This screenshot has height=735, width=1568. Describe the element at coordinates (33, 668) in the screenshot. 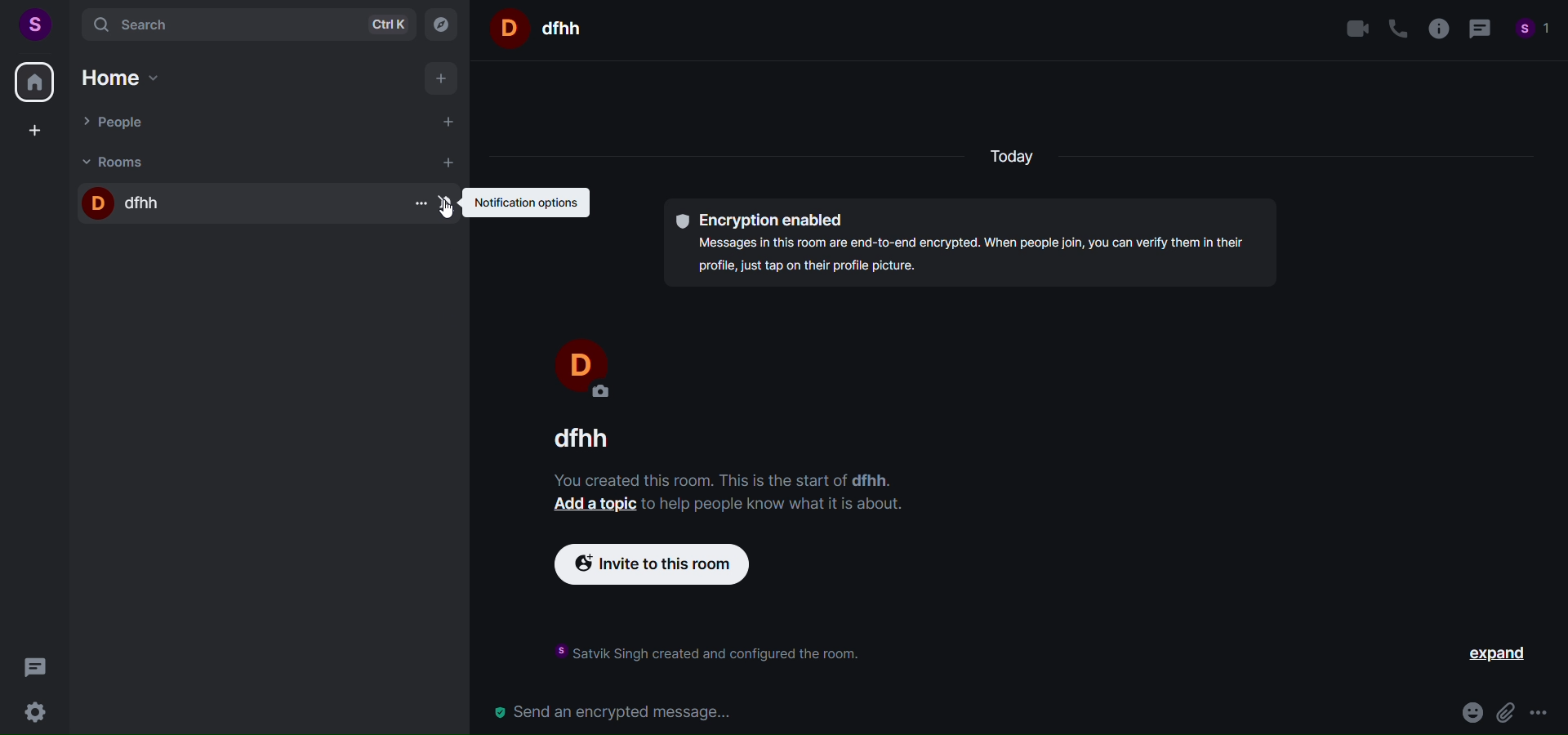

I see `threads` at that location.